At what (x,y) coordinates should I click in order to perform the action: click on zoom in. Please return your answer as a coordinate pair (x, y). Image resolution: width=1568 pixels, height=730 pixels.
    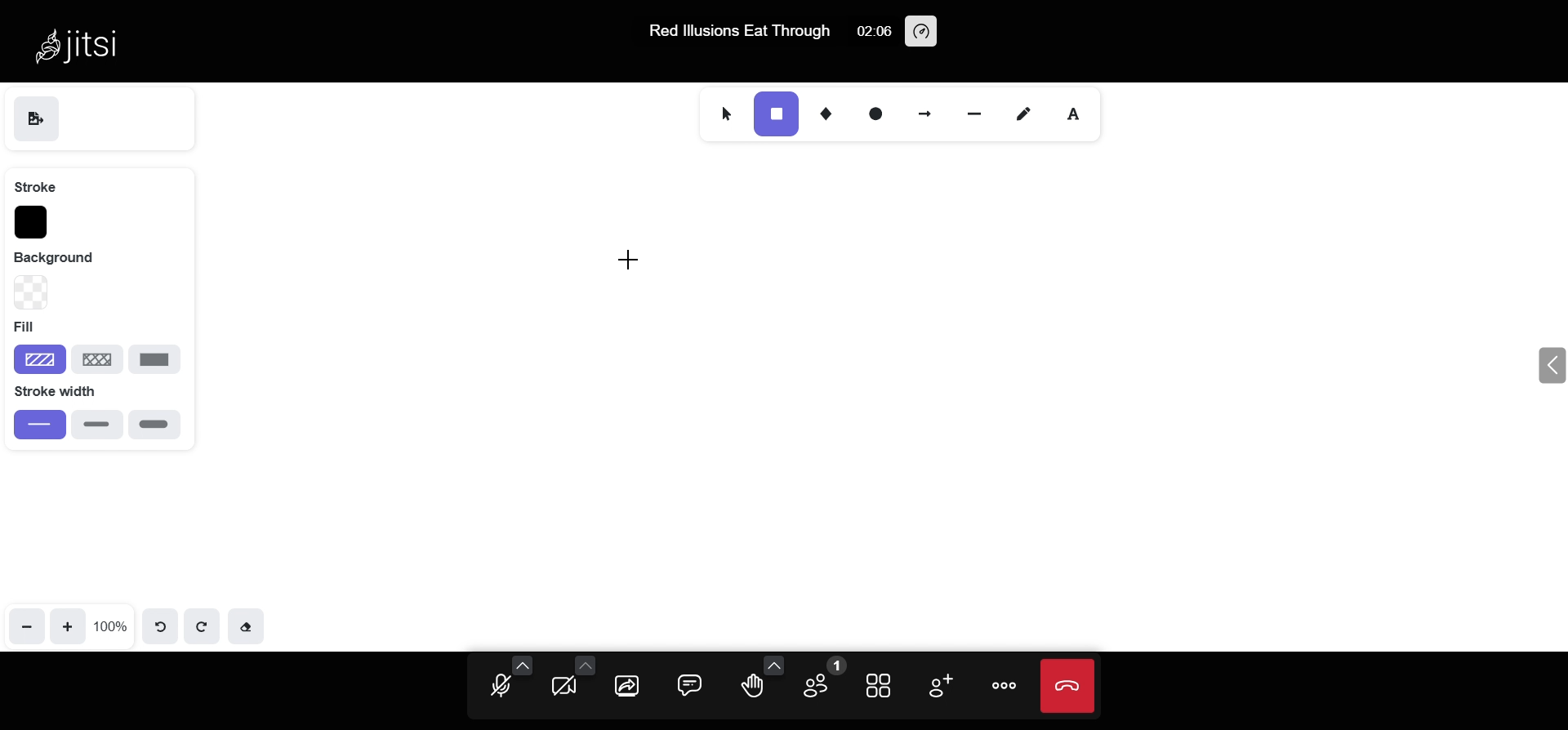
    Looking at the image, I should click on (68, 625).